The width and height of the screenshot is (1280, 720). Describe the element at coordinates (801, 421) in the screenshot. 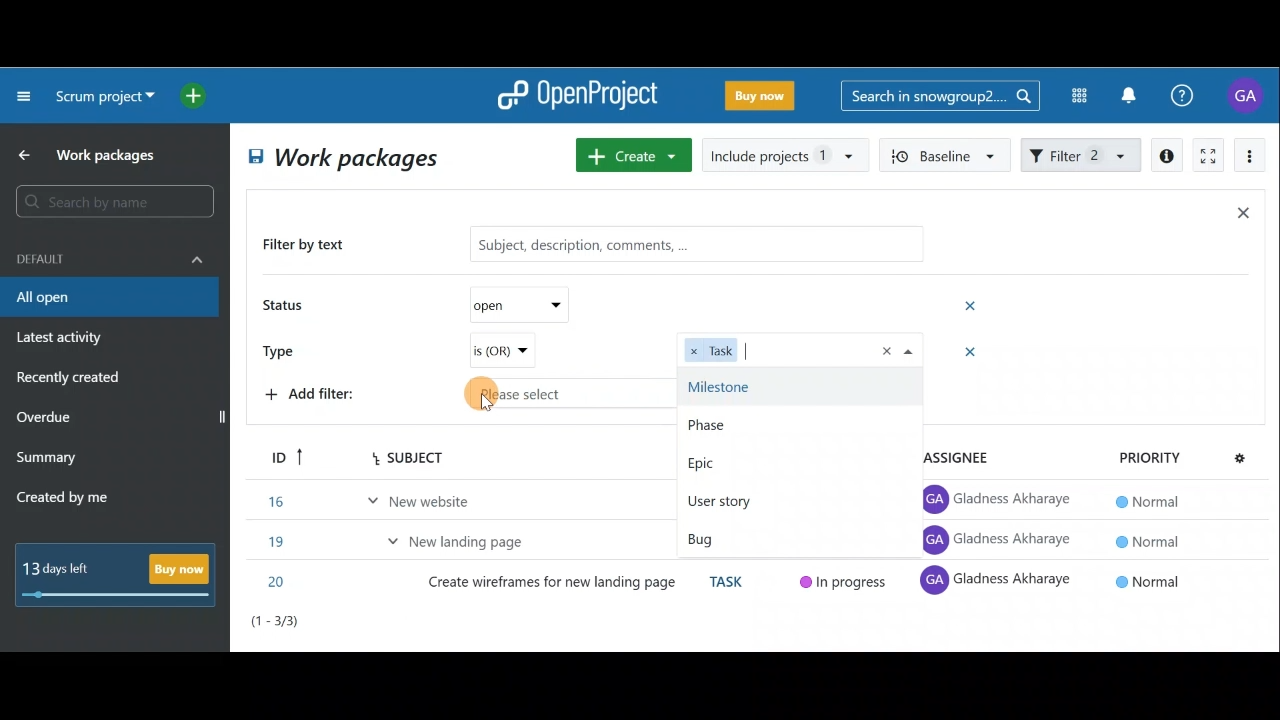

I see `Phase` at that location.